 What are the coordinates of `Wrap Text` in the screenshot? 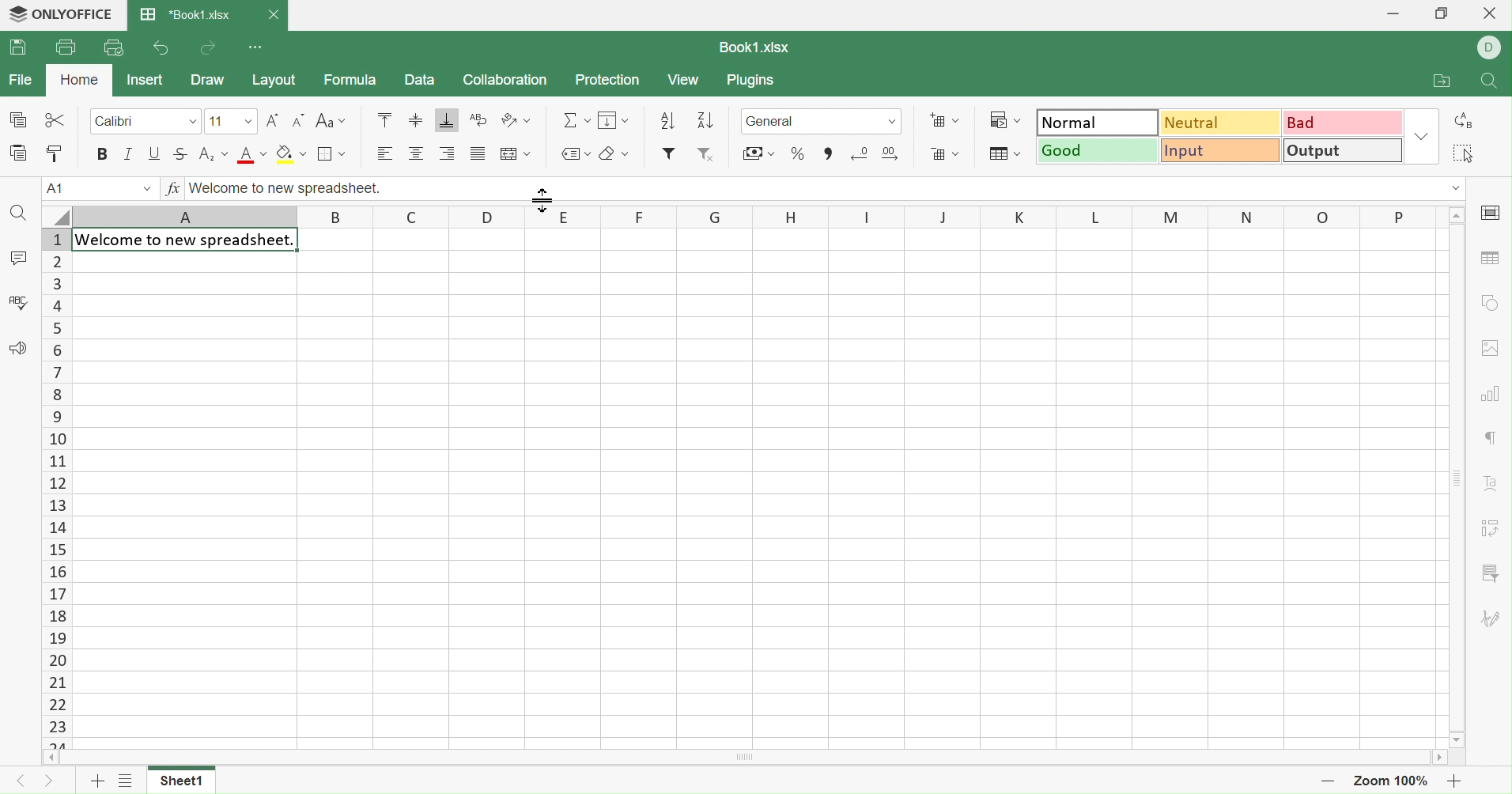 It's located at (479, 119).